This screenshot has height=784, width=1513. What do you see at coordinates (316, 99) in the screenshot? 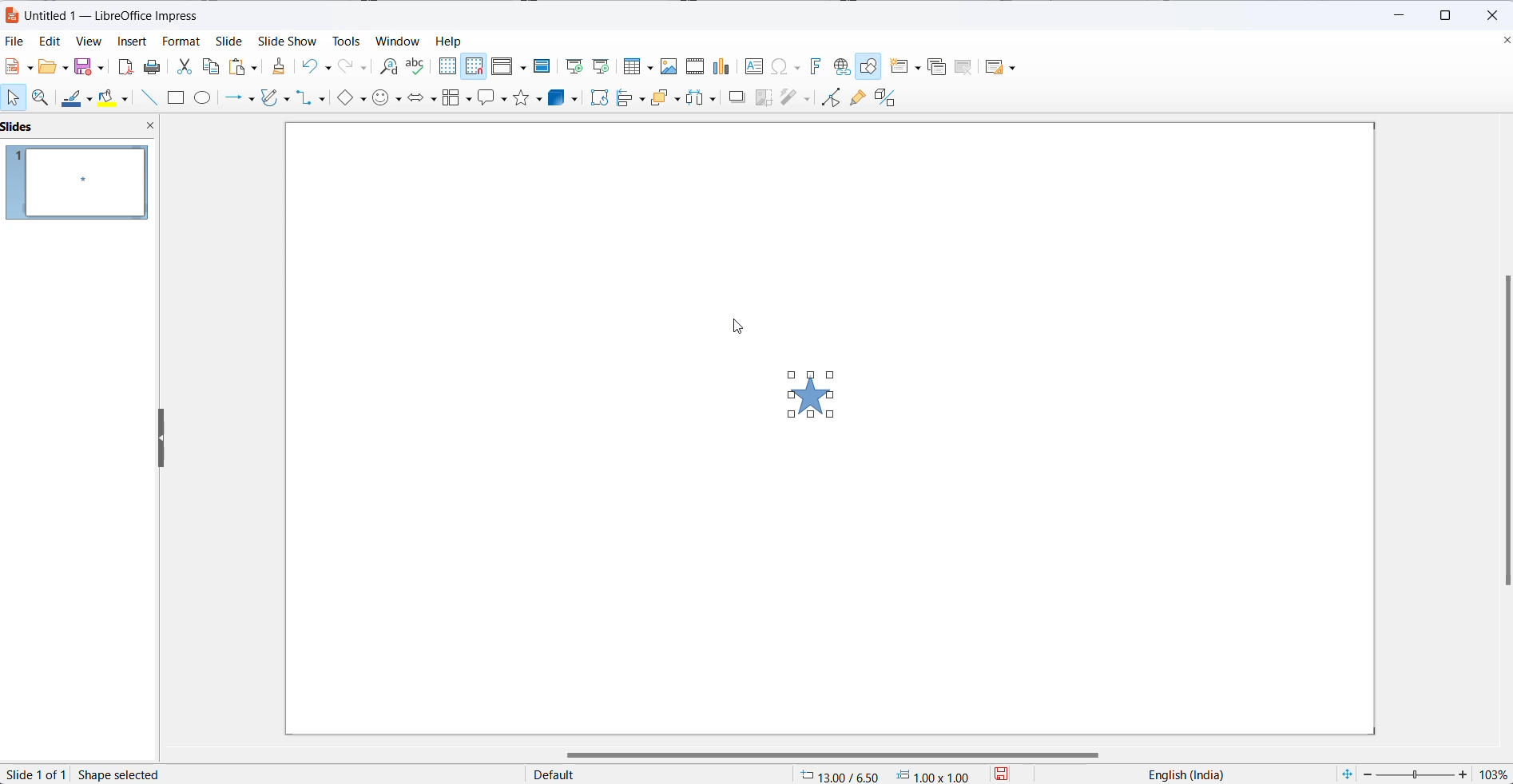
I see `connectors` at bounding box center [316, 99].